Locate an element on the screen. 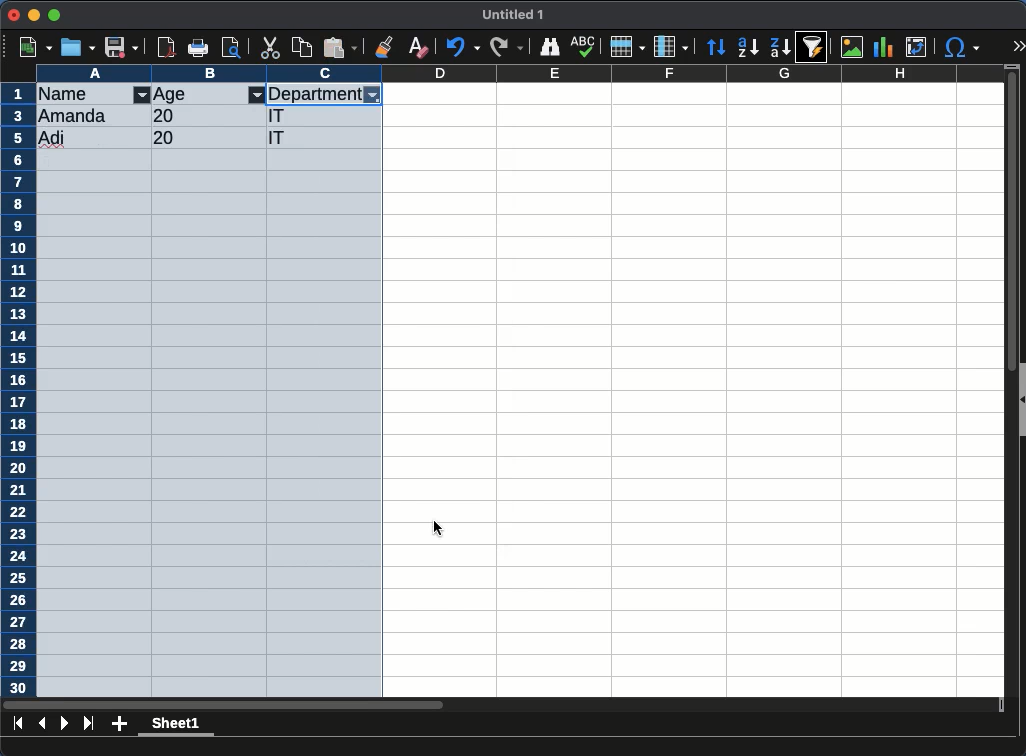  collapse is located at coordinates (1020, 398).